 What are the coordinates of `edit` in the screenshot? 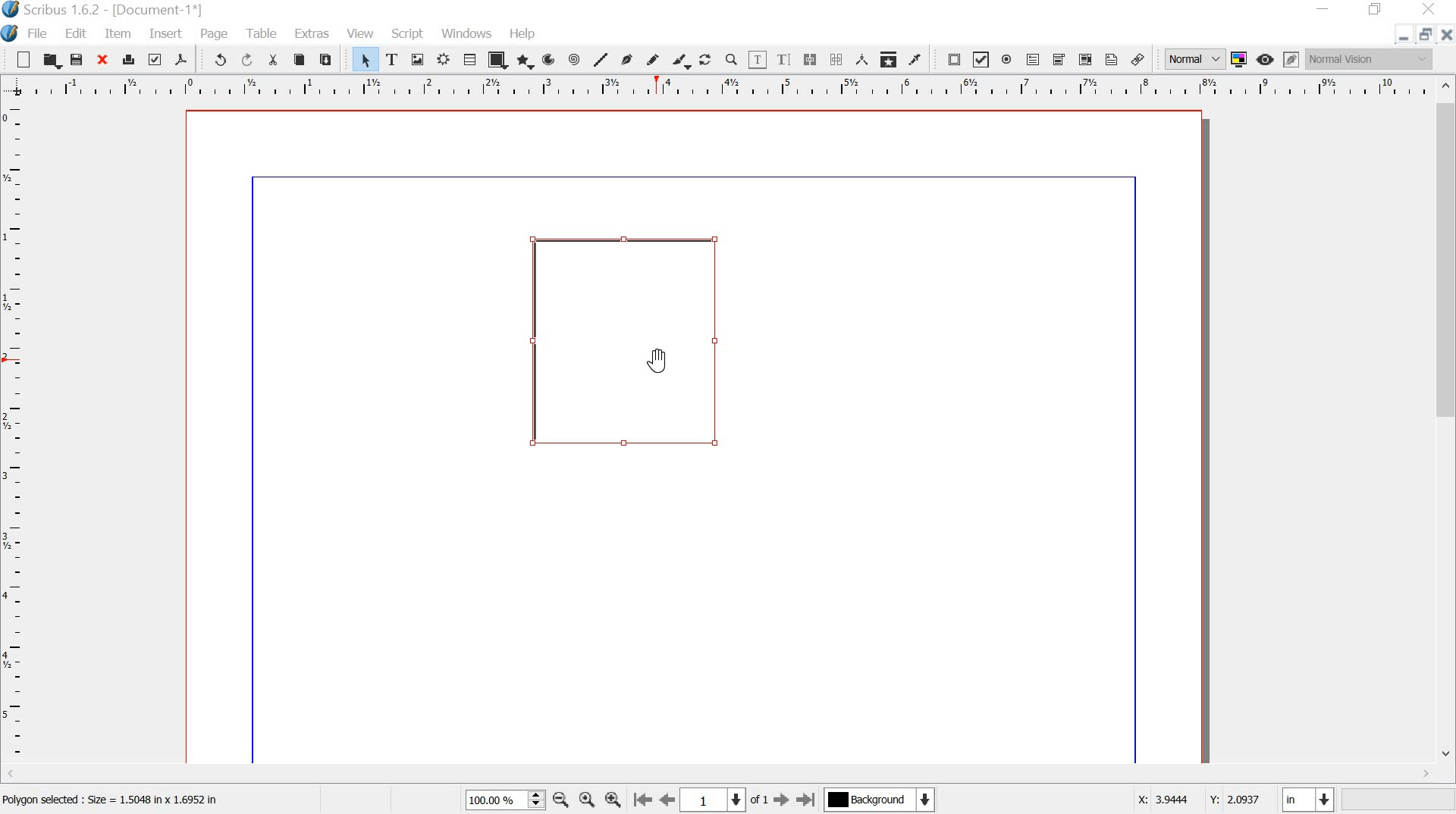 It's located at (76, 33).